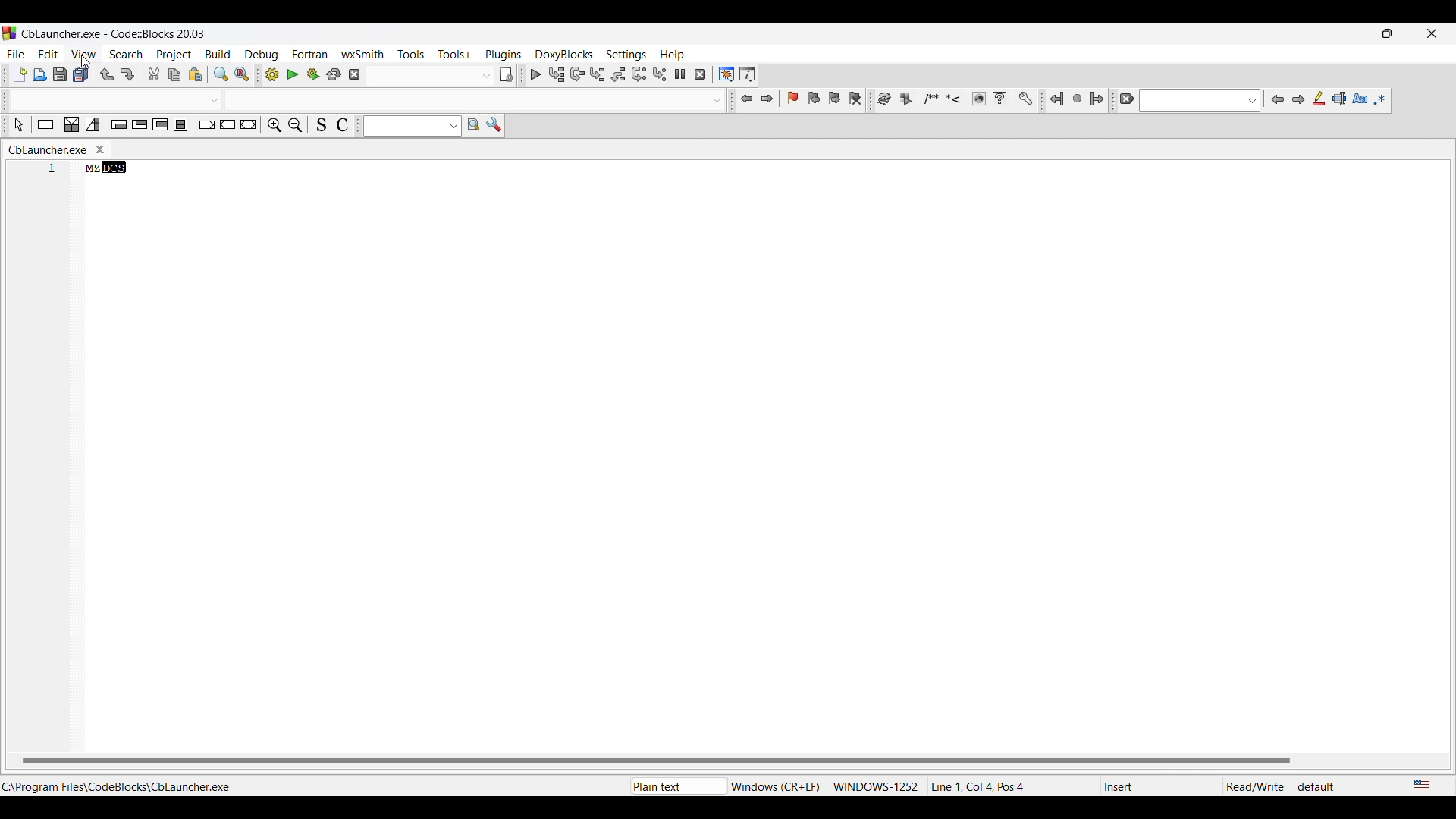 The height and width of the screenshot is (819, 1456). I want to click on wxSmith menu, so click(363, 54).